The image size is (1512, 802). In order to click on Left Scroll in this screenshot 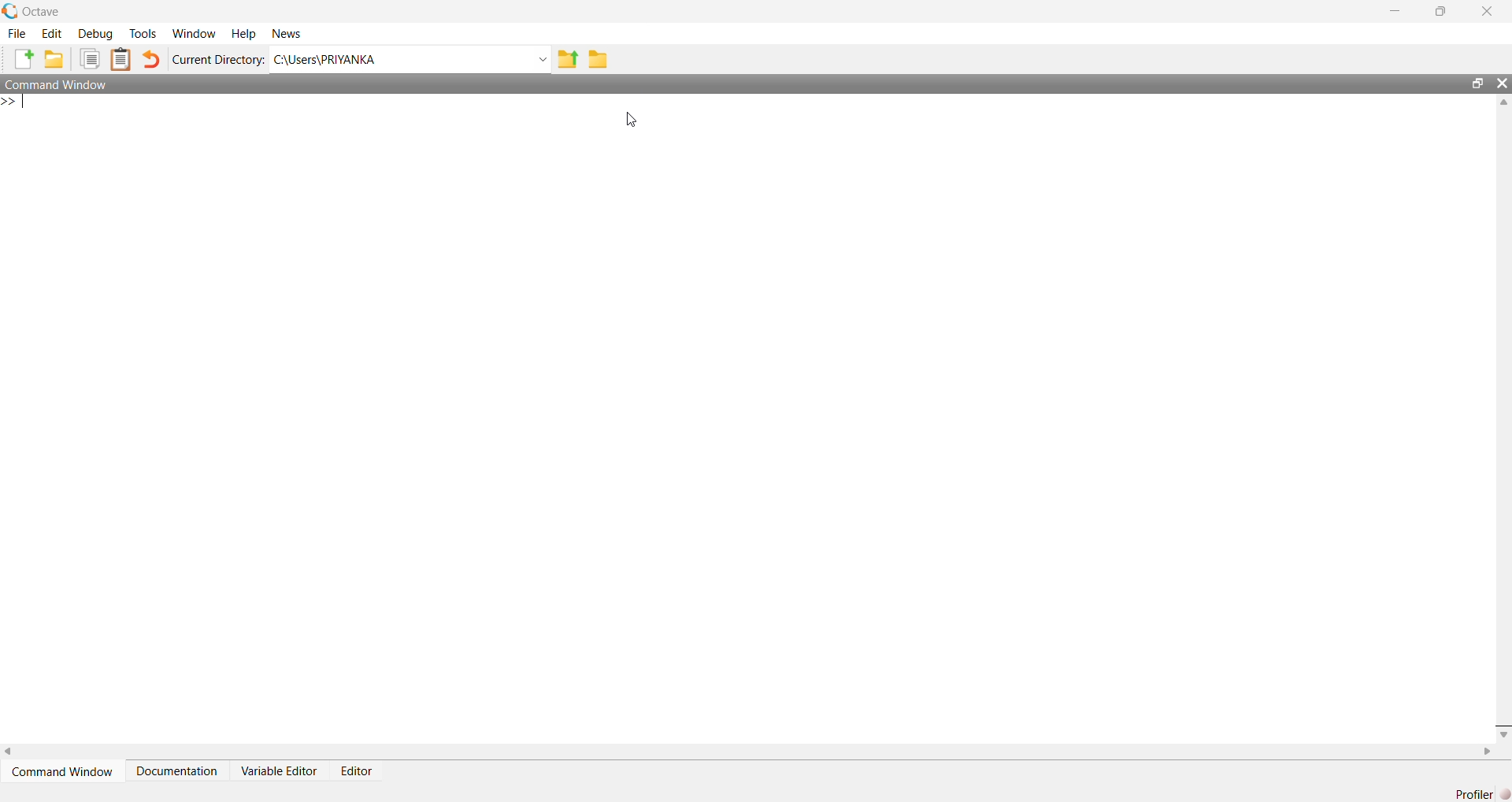, I will do `click(9, 750)`.